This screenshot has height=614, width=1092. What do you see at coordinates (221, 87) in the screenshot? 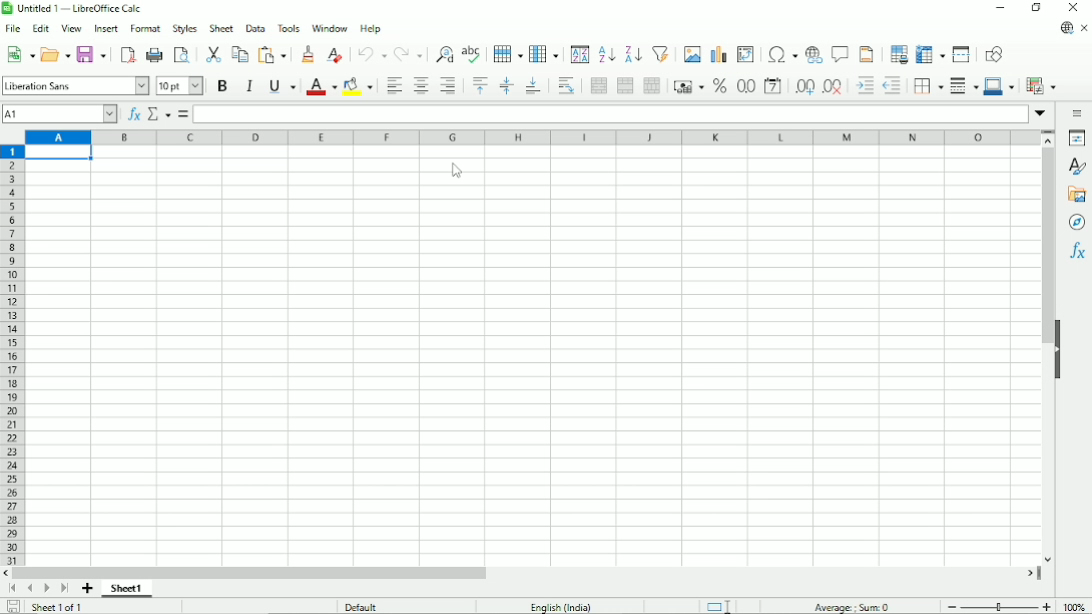
I see `Bold` at bounding box center [221, 87].